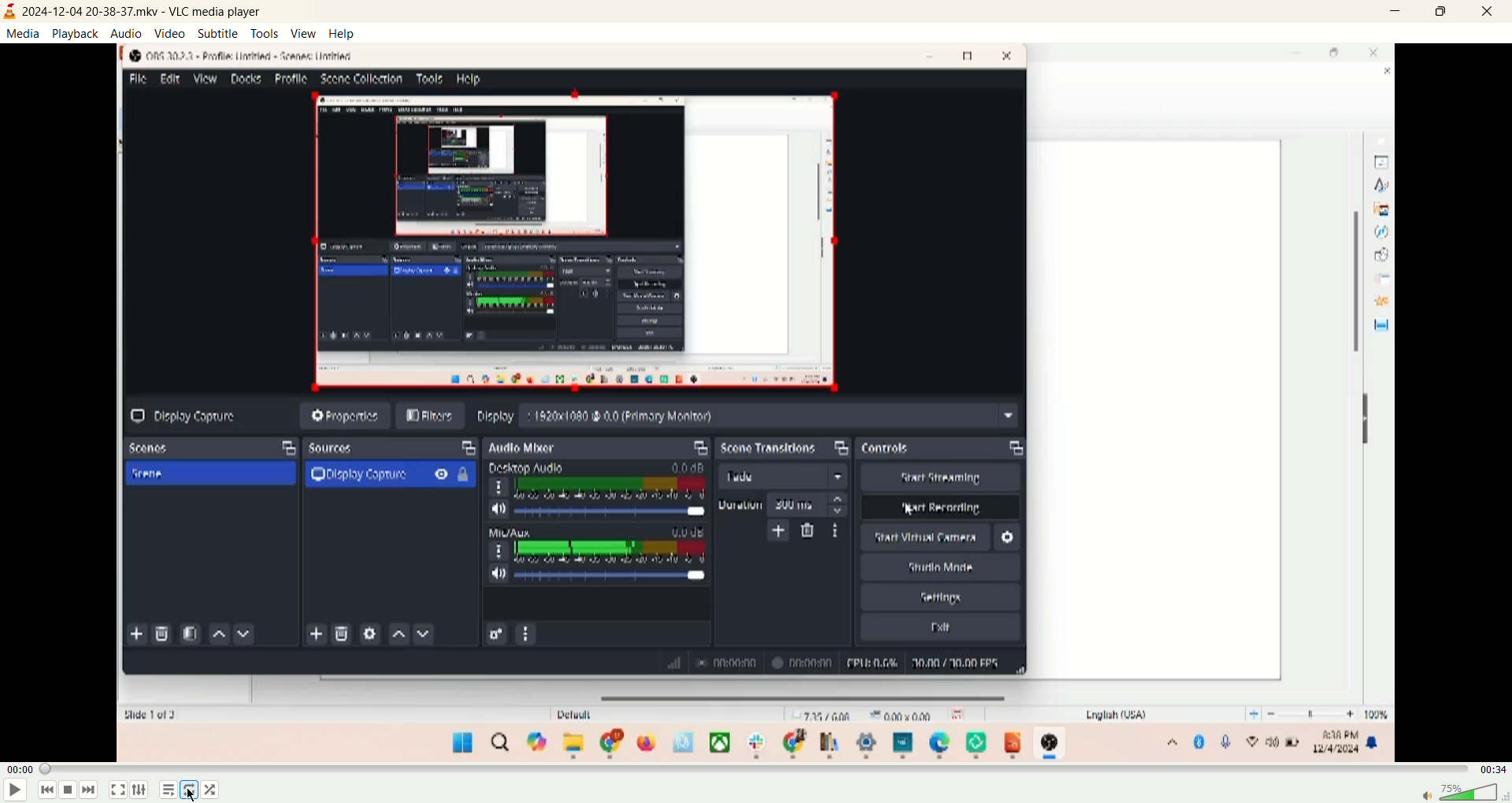 The image size is (1512, 803). I want to click on fullscreen, so click(117, 790).